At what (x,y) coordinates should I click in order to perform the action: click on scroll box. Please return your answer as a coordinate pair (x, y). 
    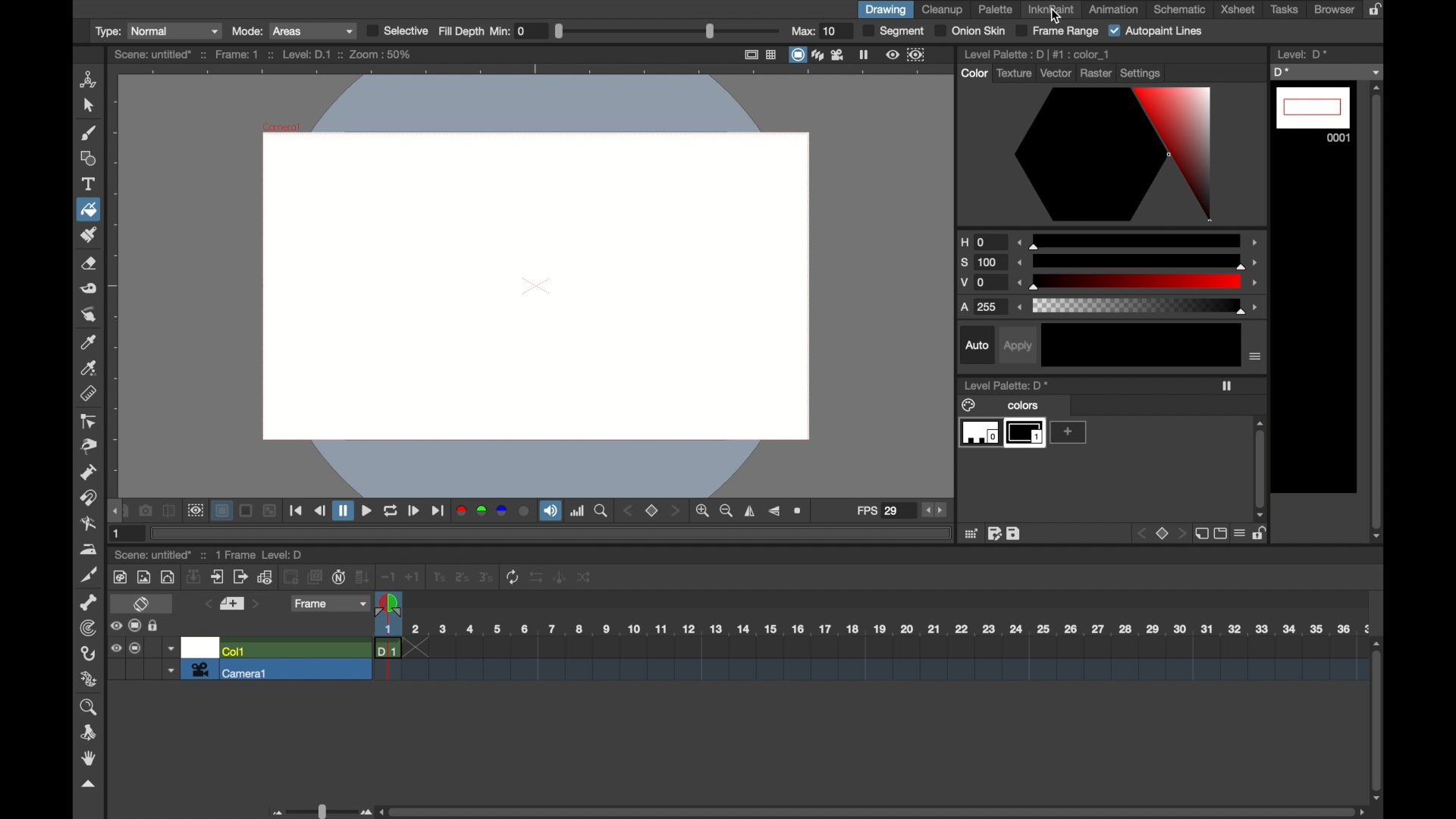
    Looking at the image, I should click on (1261, 469).